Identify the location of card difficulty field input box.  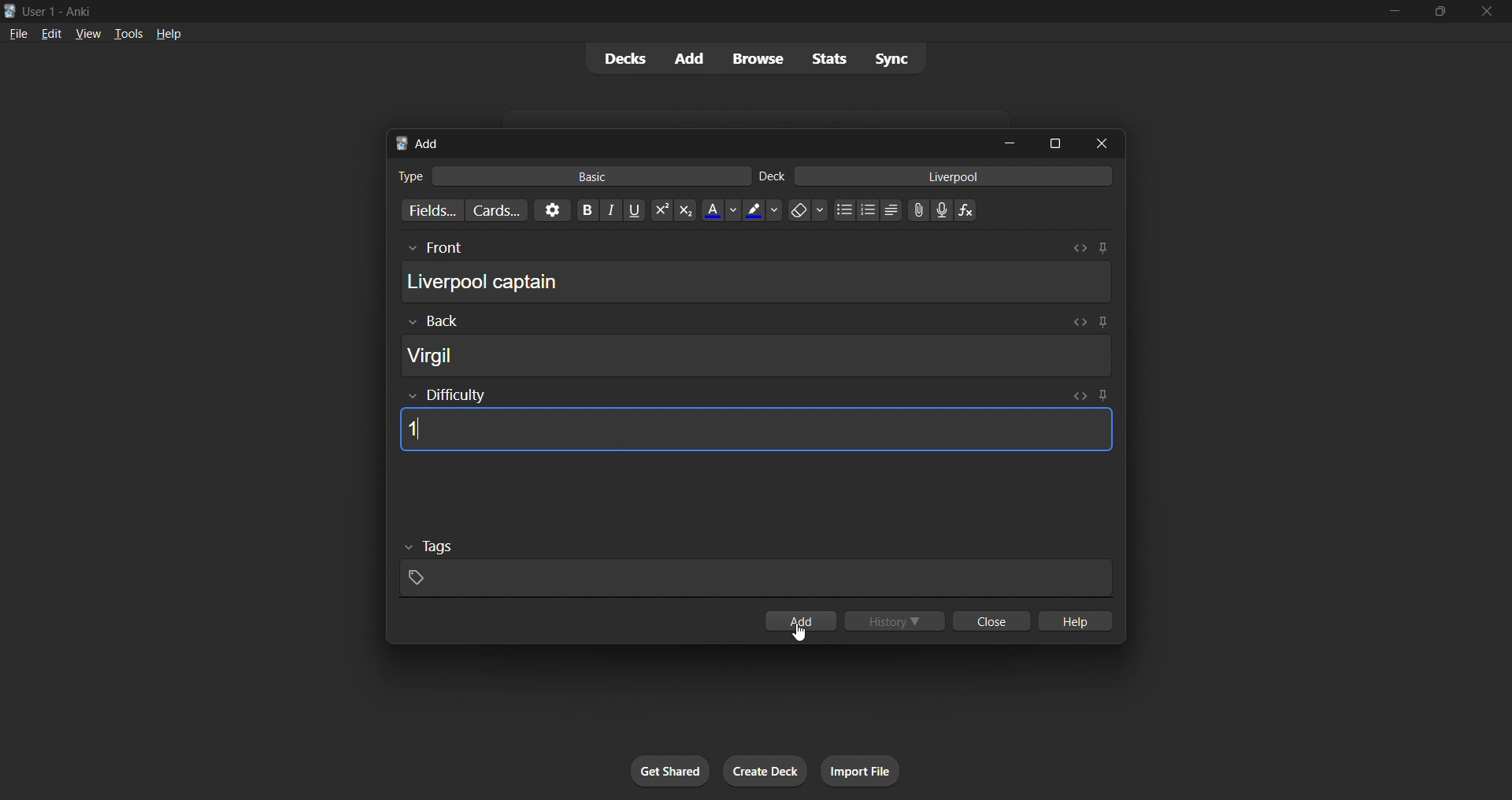
(756, 430).